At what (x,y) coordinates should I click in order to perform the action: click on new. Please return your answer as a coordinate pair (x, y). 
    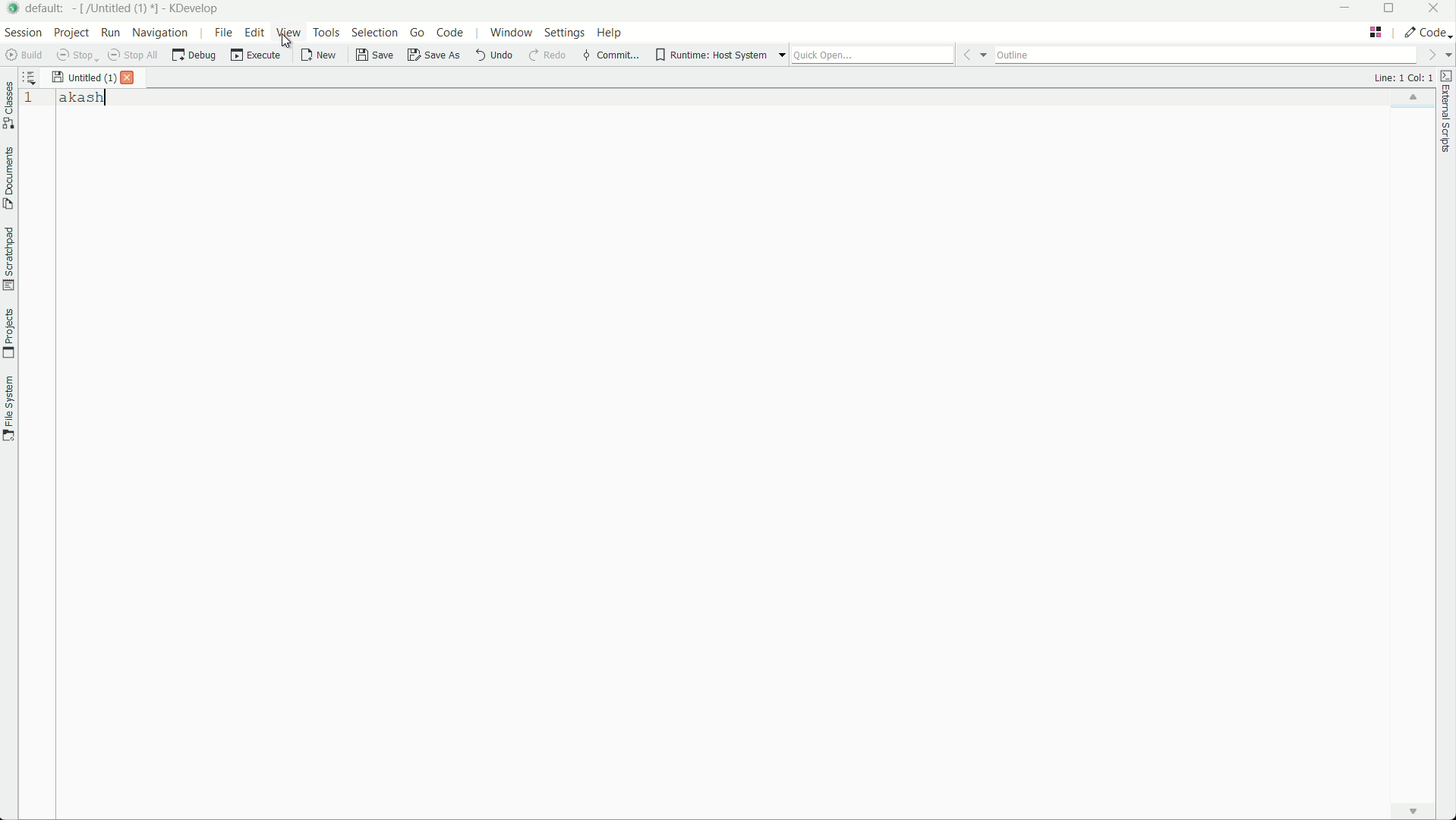
    Looking at the image, I should click on (319, 55).